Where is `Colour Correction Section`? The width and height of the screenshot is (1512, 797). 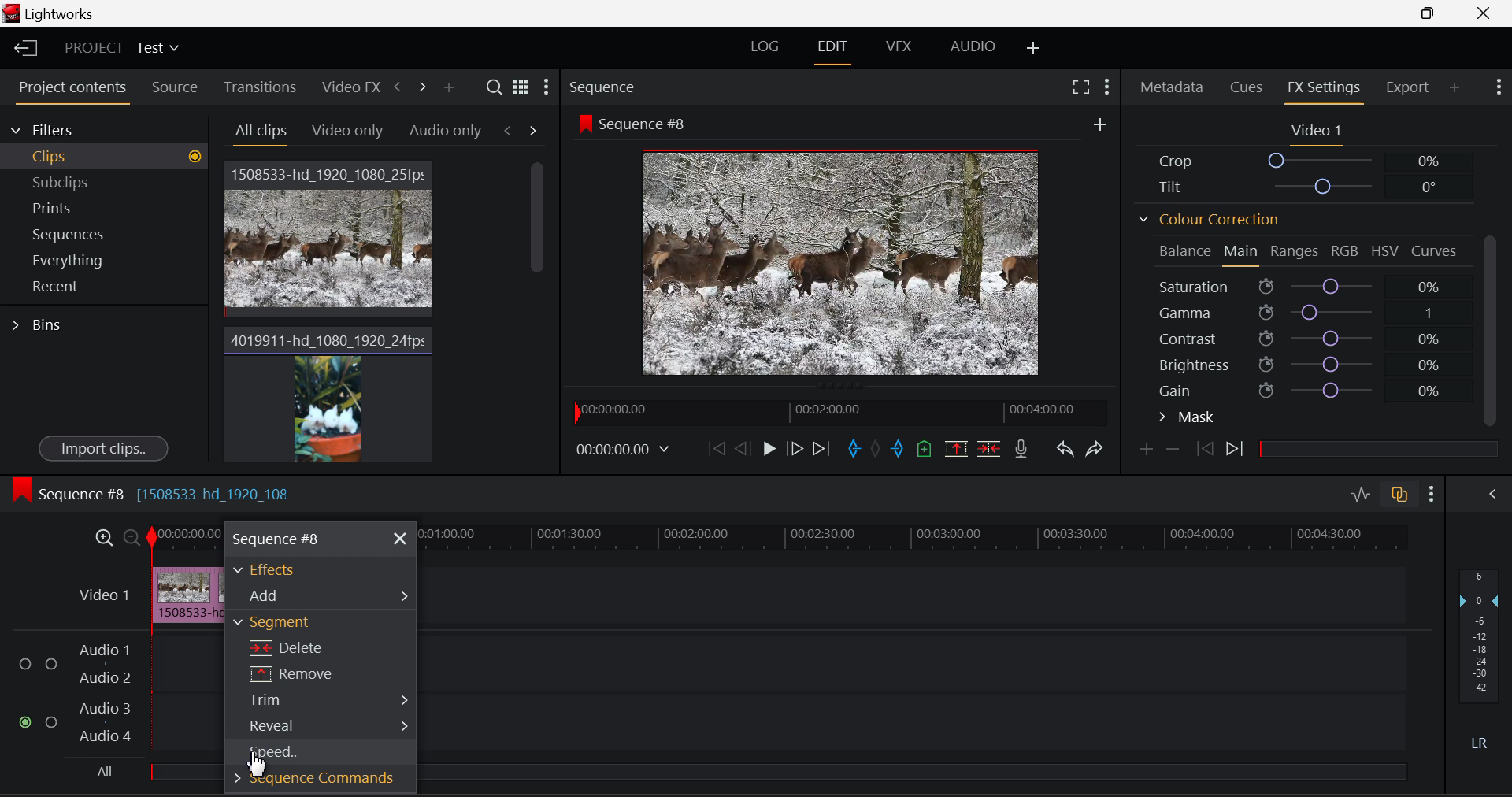 Colour Correction Section is located at coordinates (1237, 219).